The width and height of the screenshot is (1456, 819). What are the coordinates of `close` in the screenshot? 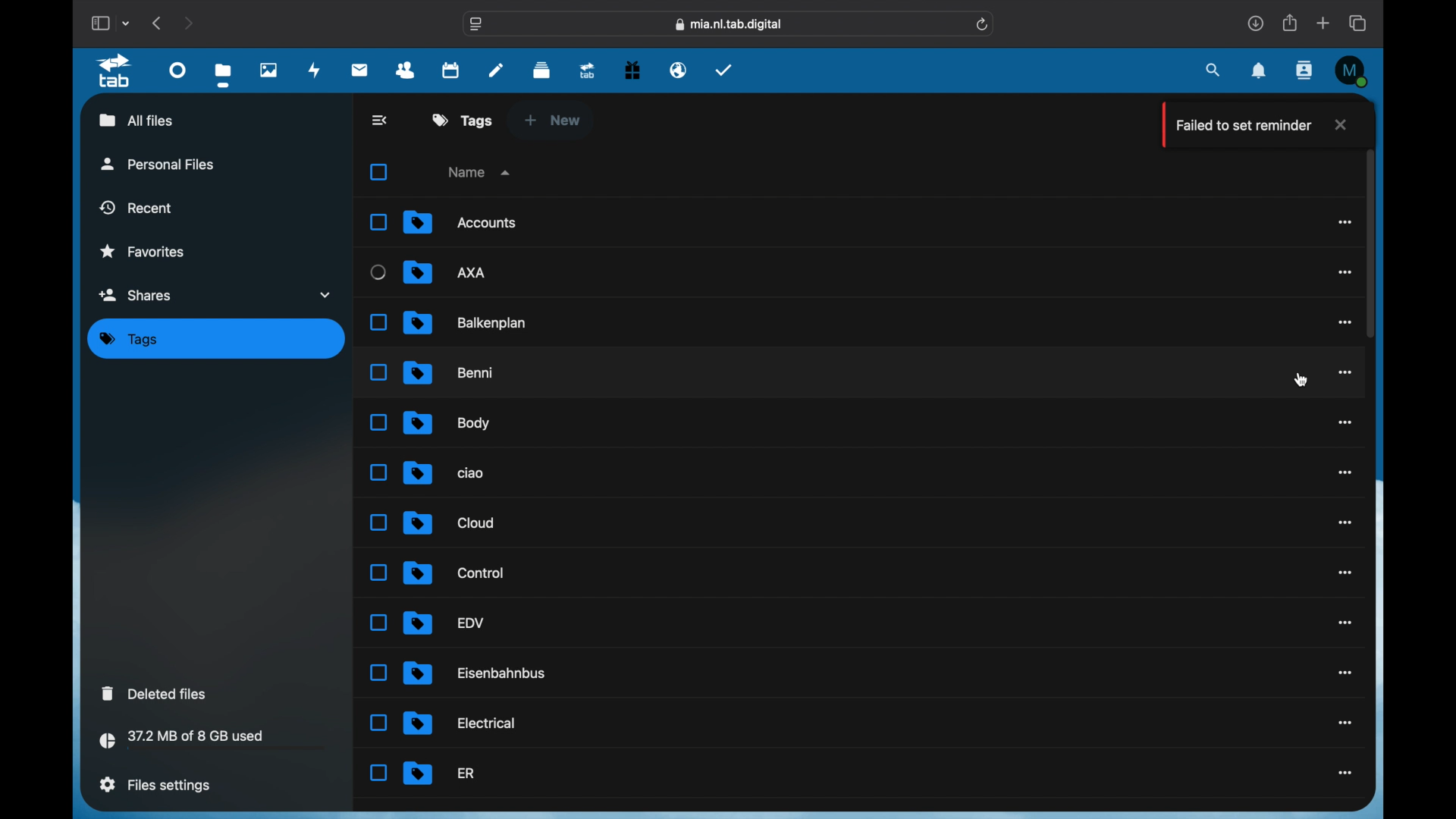 It's located at (1339, 124).